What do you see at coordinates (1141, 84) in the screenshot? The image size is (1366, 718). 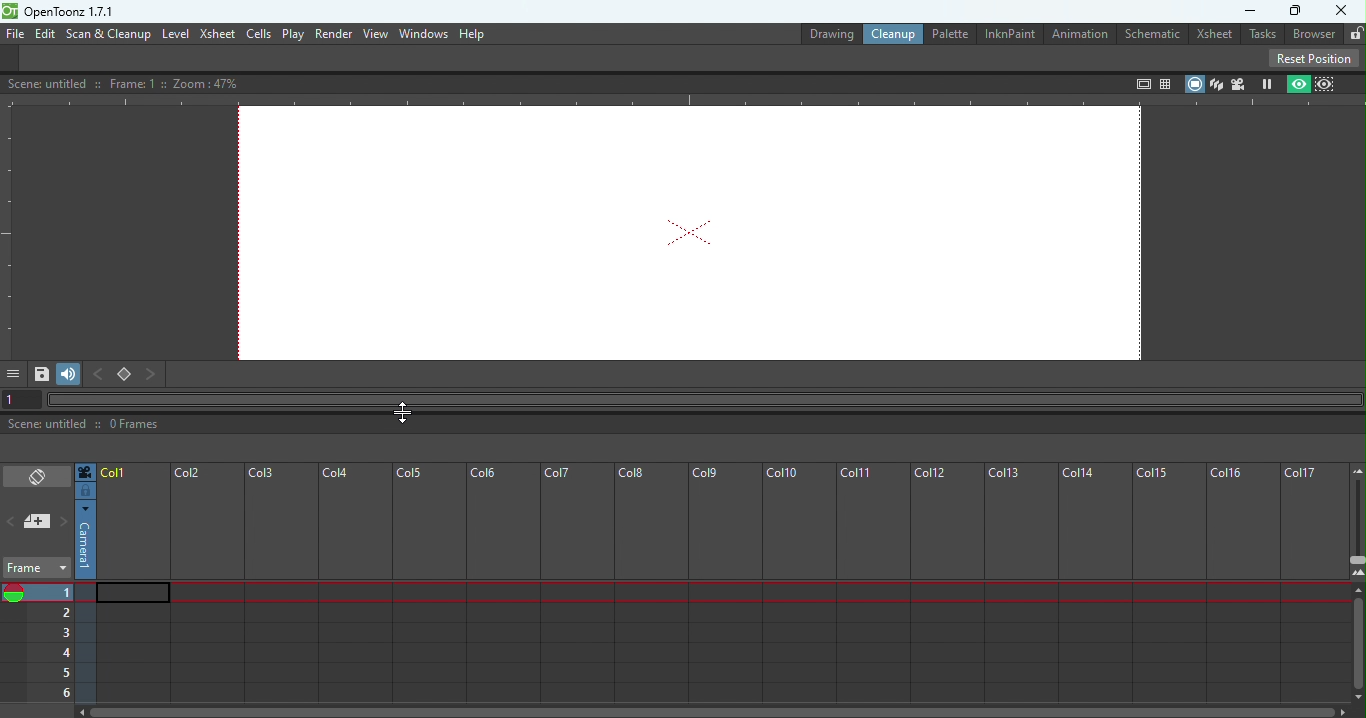 I see `Safe area` at bounding box center [1141, 84].